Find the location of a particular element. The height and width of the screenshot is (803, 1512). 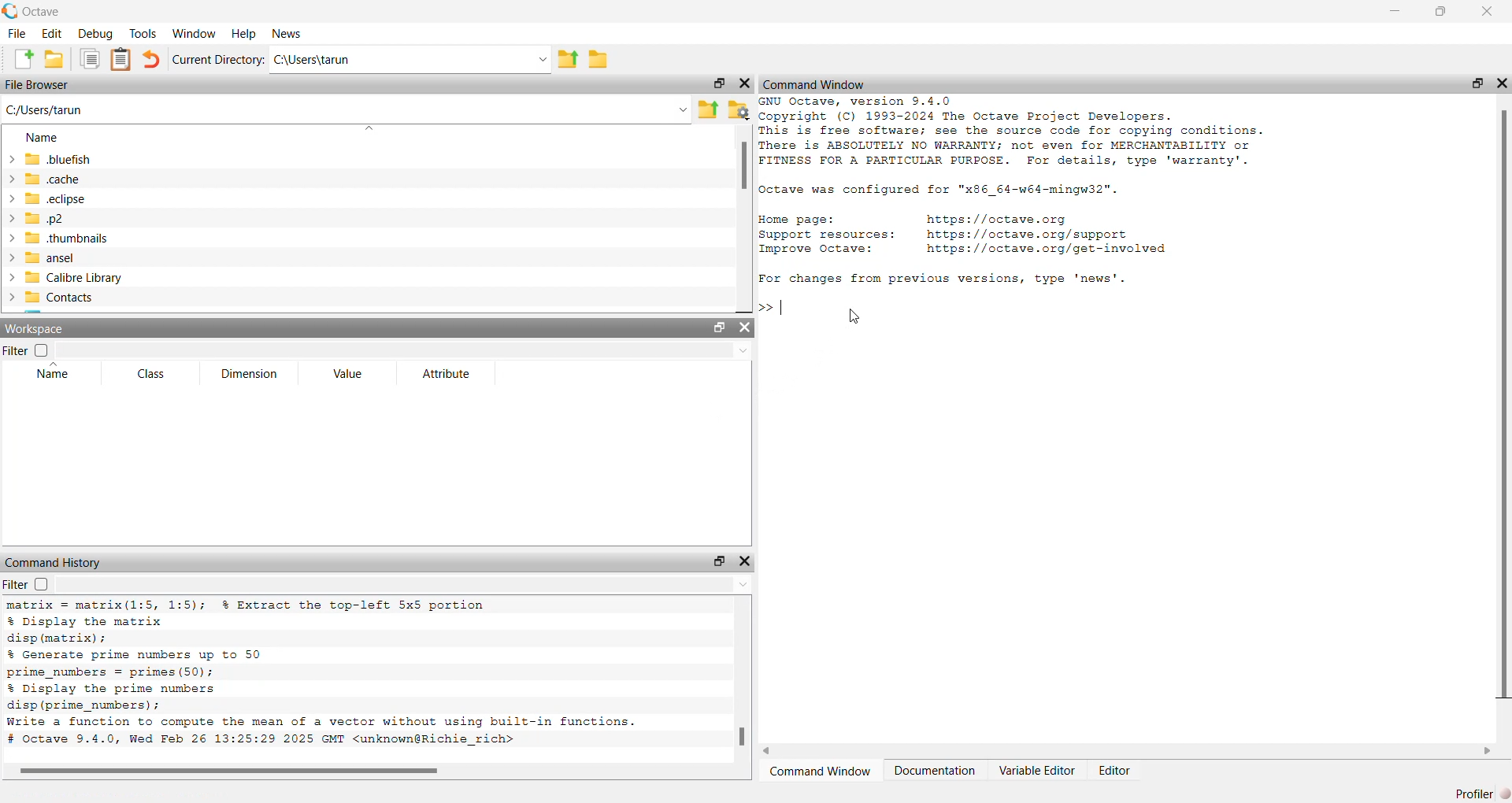

add file is located at coordinates (23, 60).